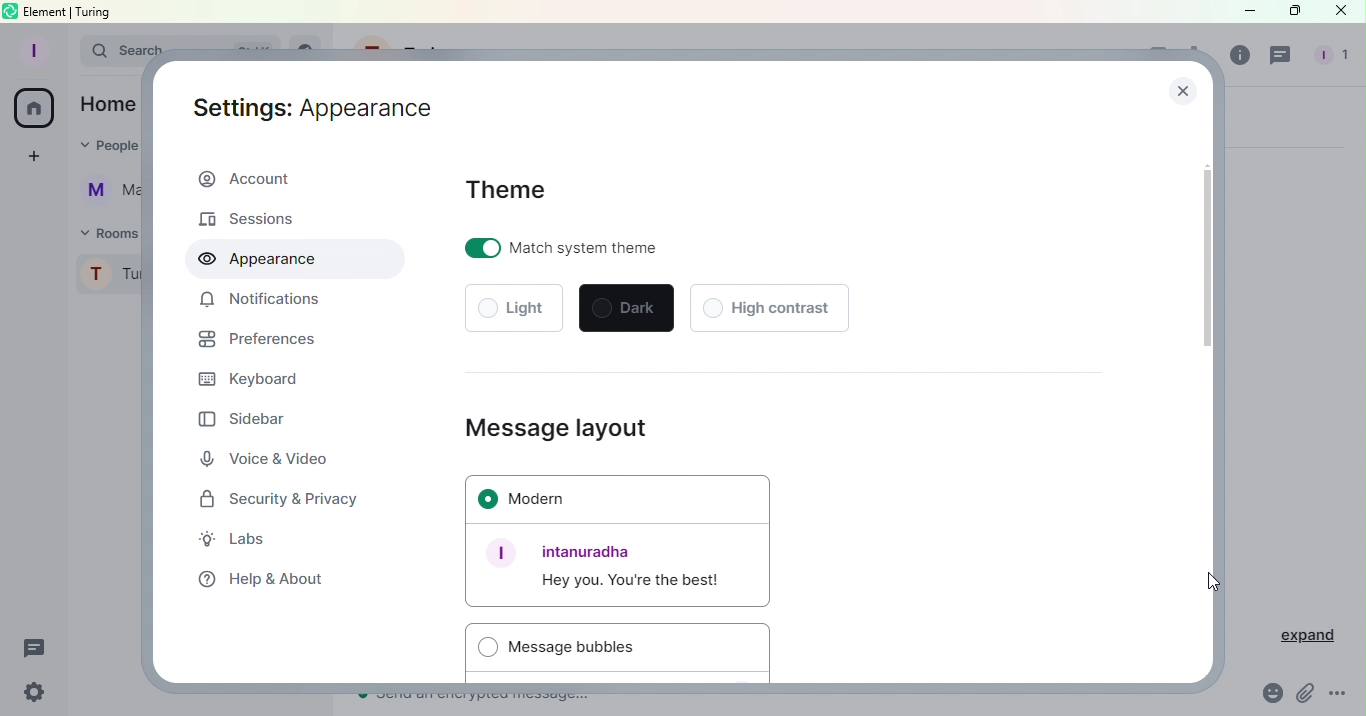  Describe the element at coordinates (622, 568) in the screenshot. I see `Font example` at that location.